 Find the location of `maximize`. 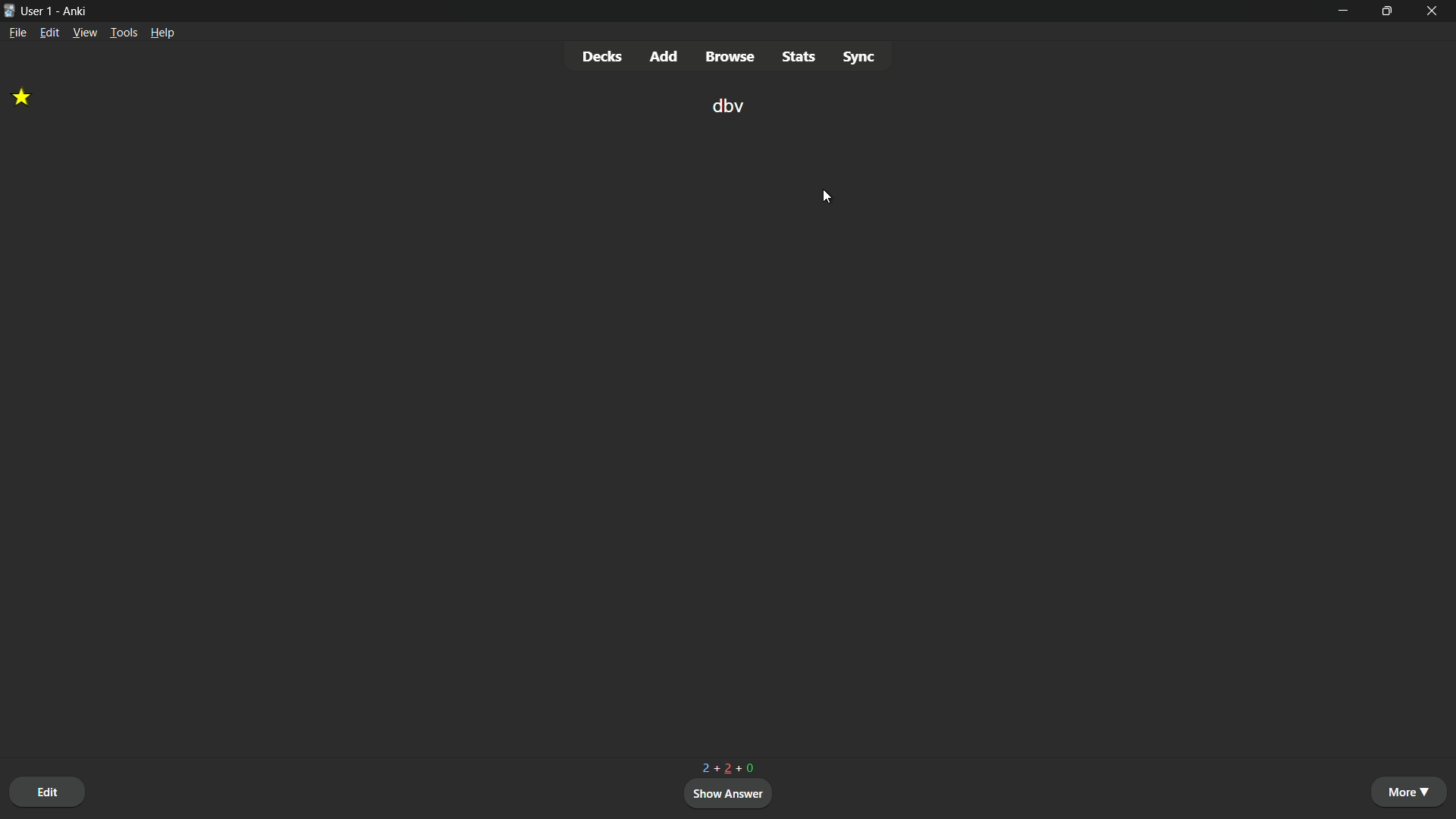

maximize is located at coordinates (1385, 11).